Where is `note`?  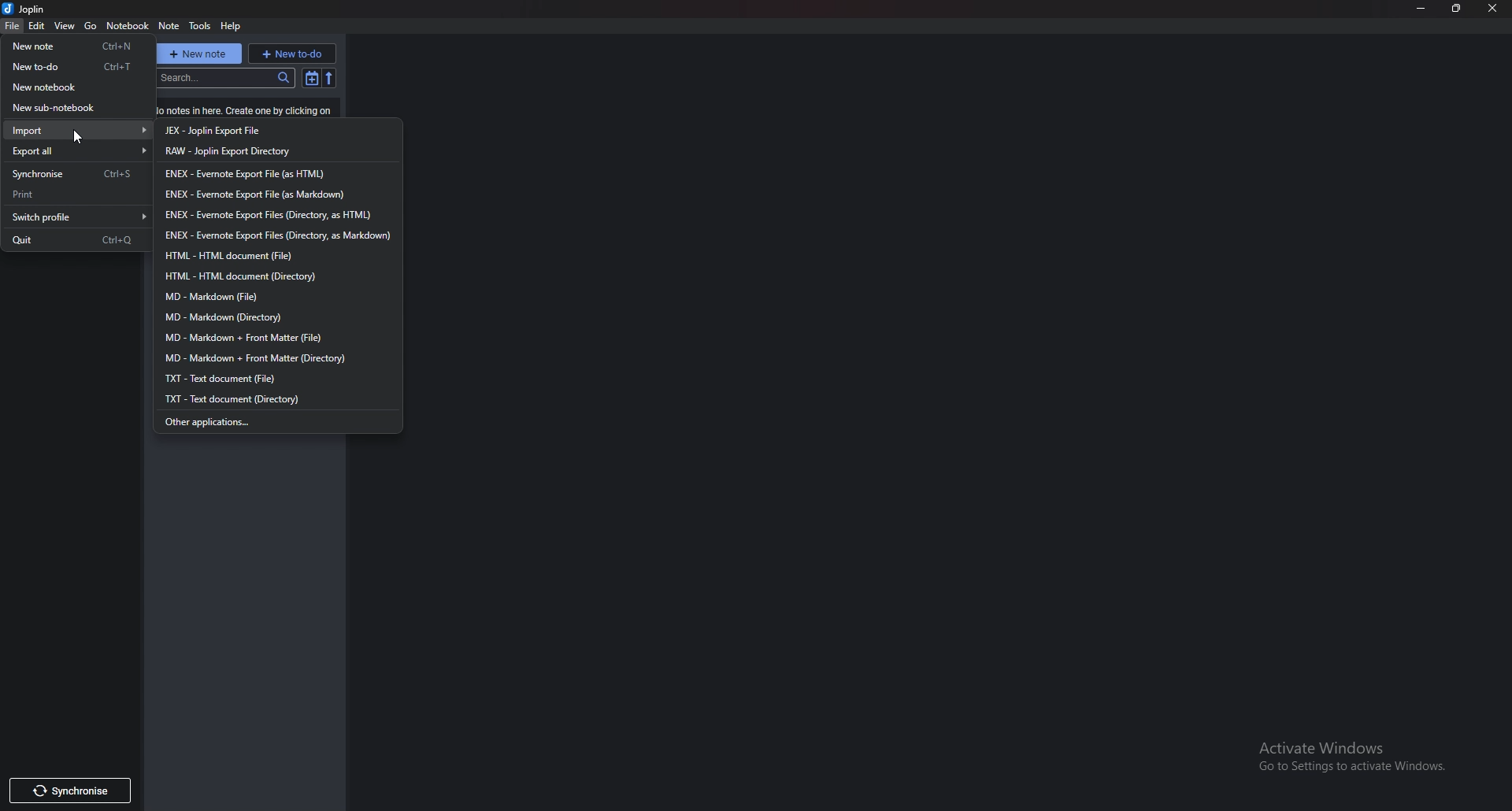 note is located at coordinates (172, 25).